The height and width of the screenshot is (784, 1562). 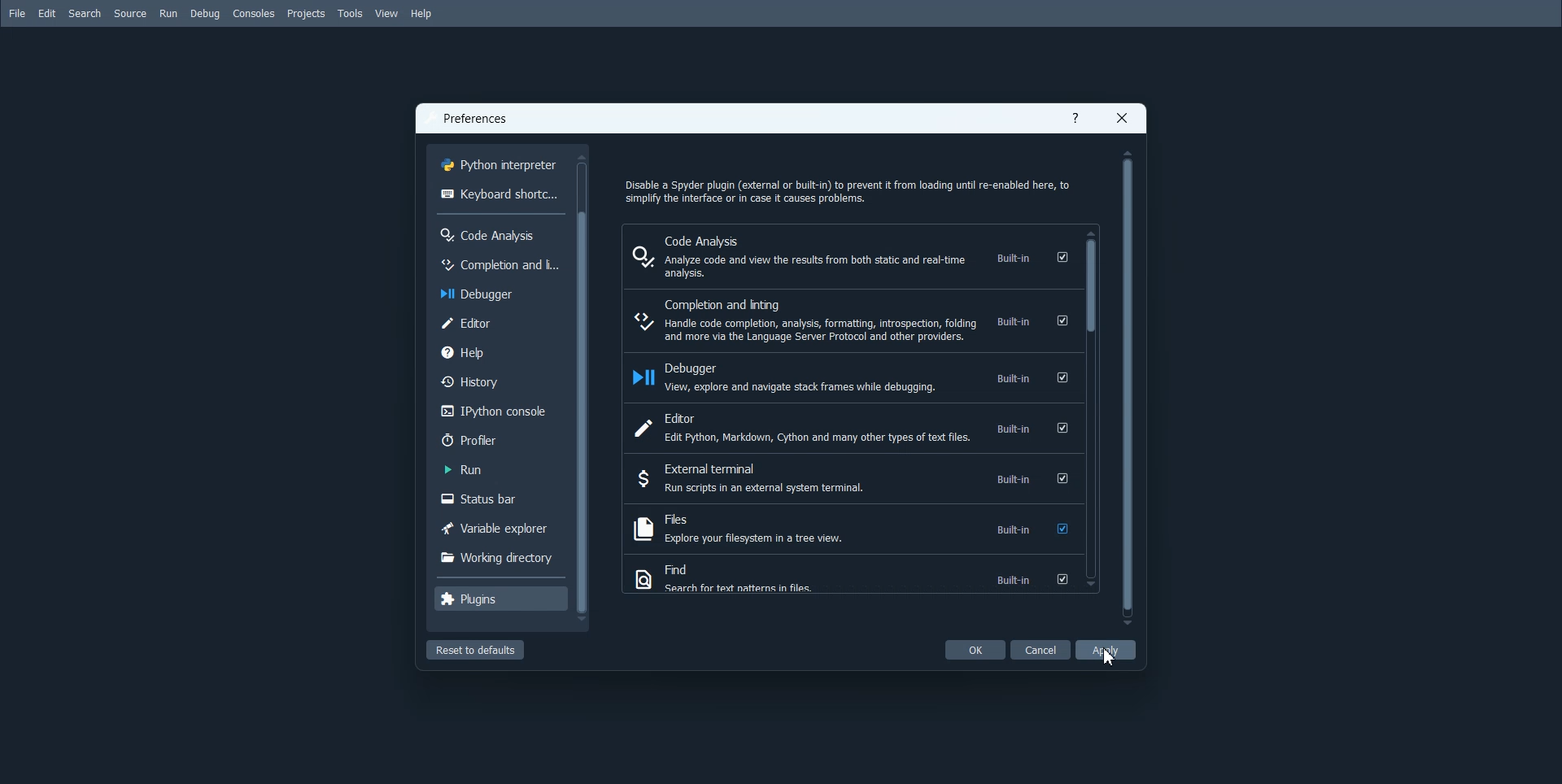 I want to click on Apply, so click(x=1106, y=649).